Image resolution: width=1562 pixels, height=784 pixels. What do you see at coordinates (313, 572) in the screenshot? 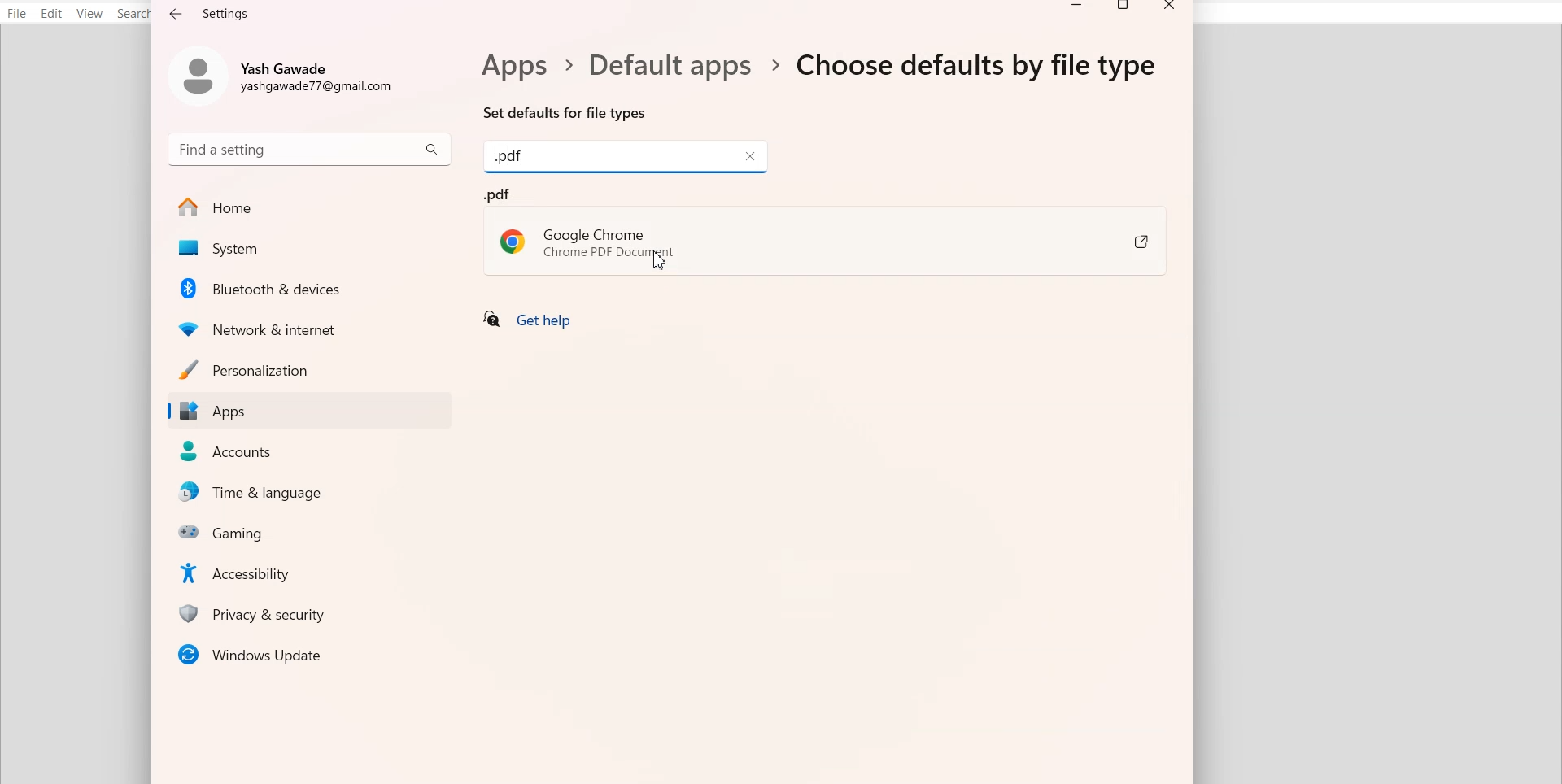
I see `Accessibility` at bounding box center [313, 572].